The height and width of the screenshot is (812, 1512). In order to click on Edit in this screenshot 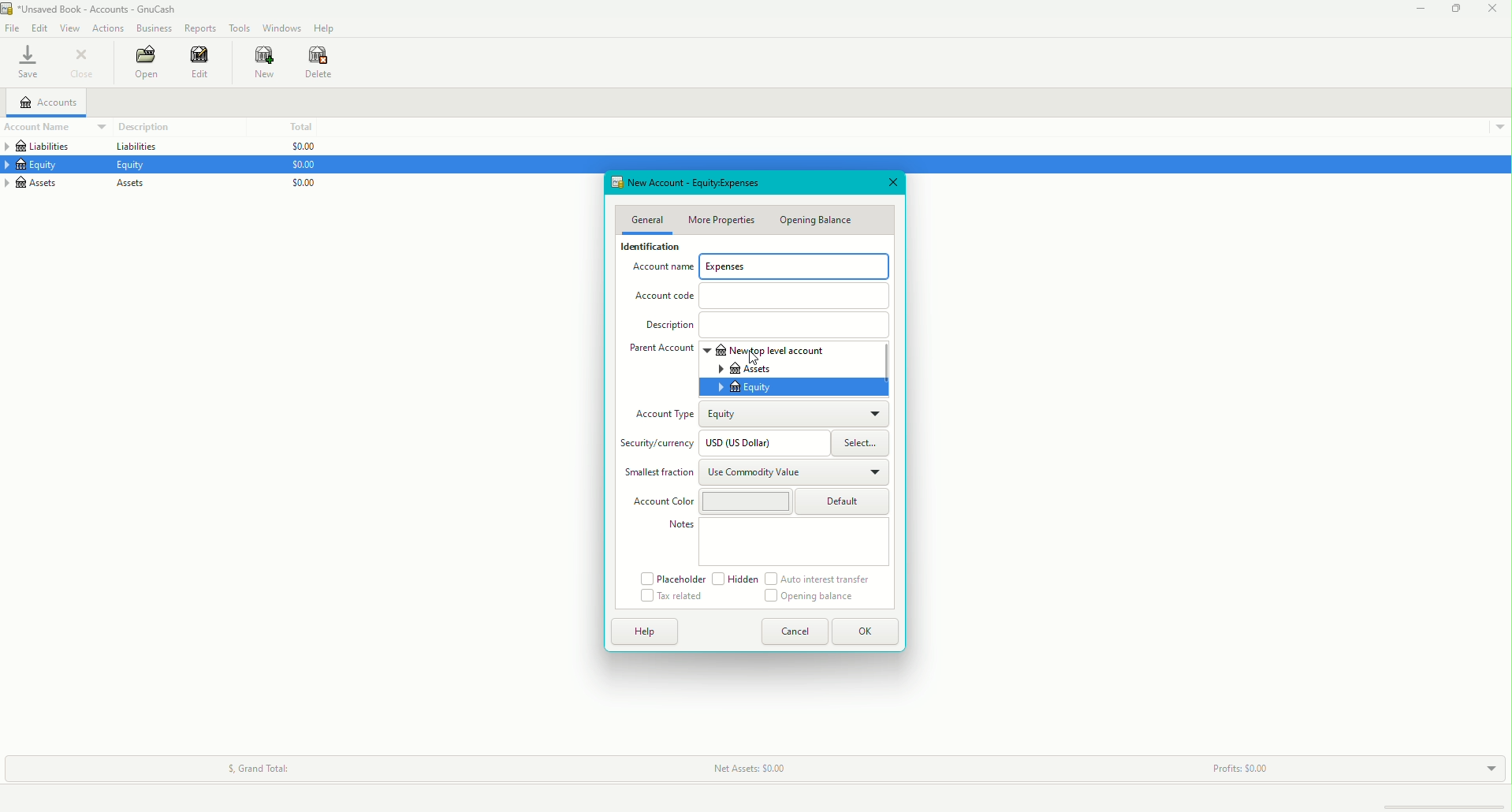, I will do `click(203, 64)`.